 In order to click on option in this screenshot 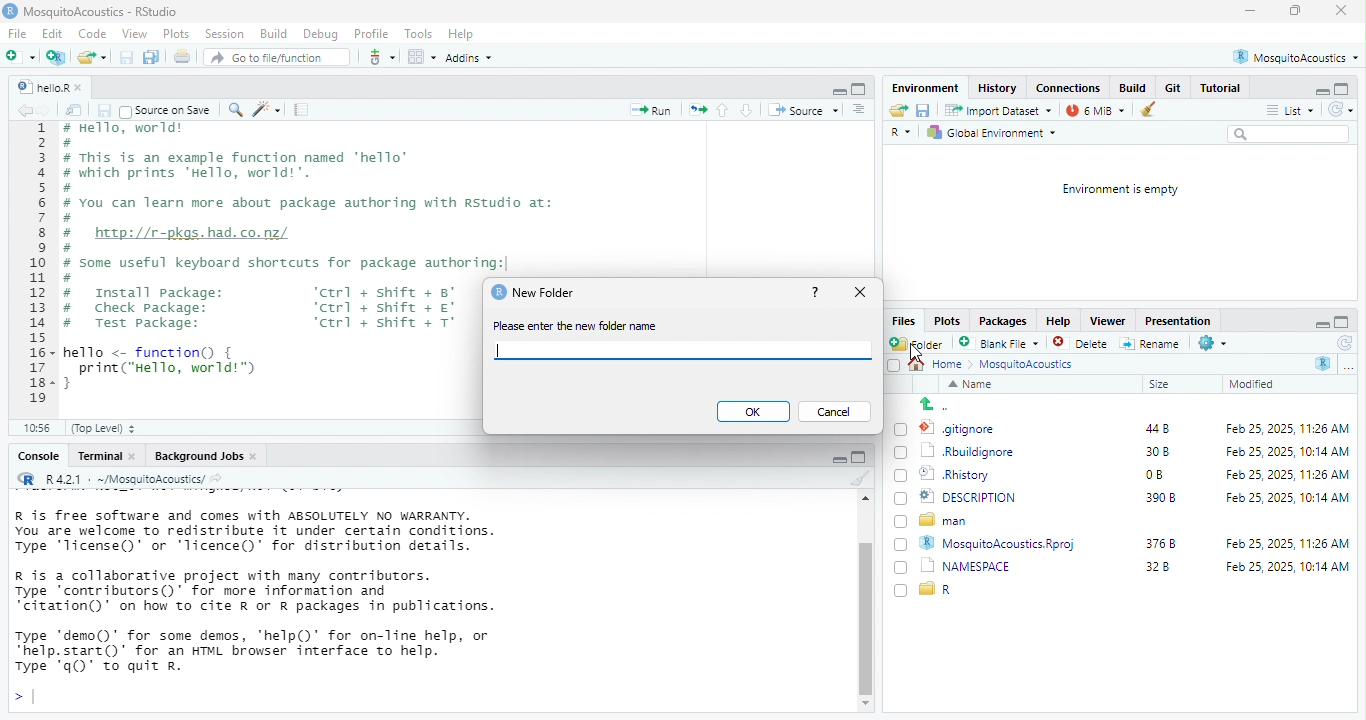, I will do `click(1353, 369)`.